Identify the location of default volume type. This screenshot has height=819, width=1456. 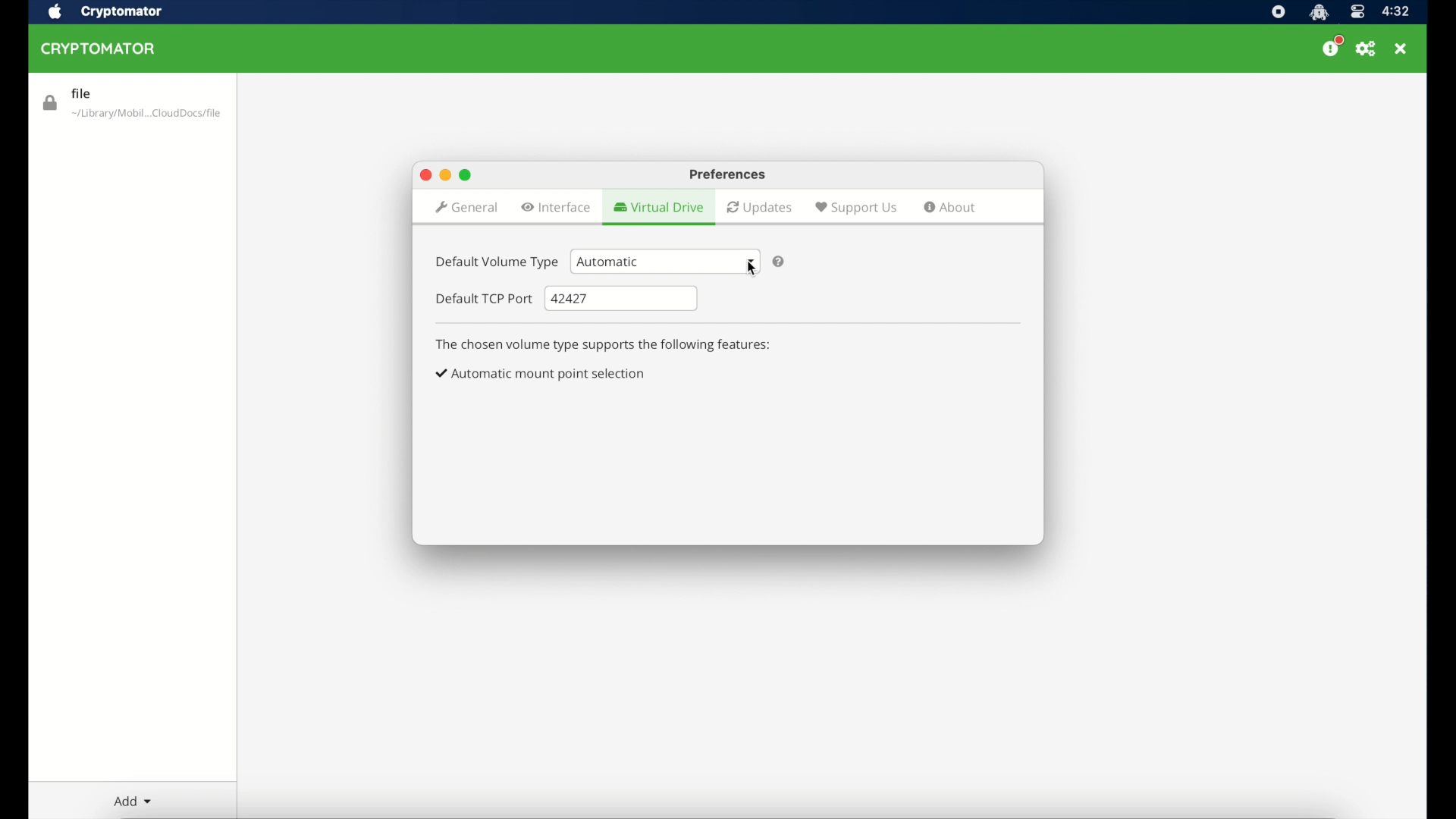
(495, 262).